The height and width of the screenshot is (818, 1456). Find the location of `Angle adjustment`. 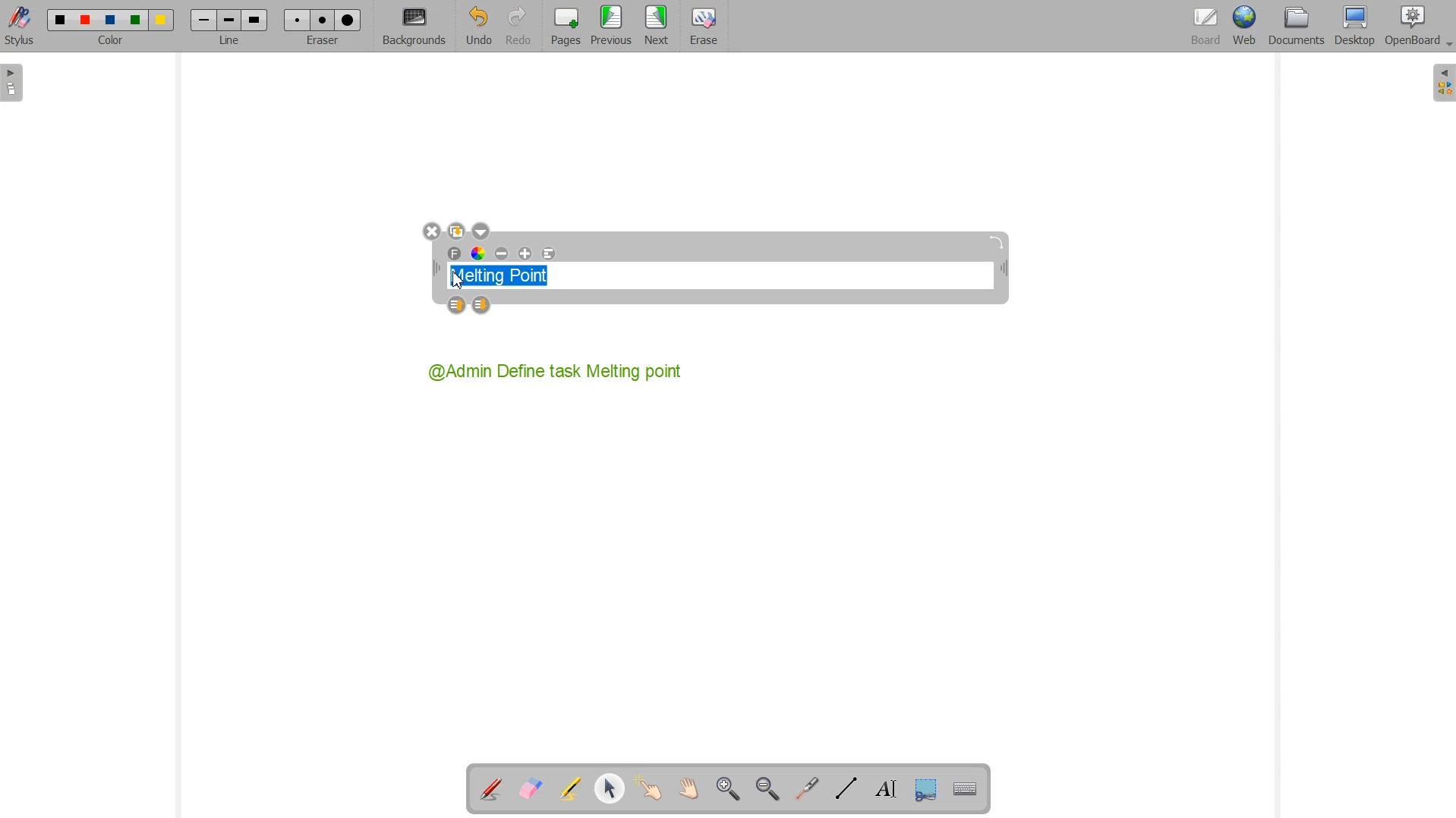

Angle adjustment is located at coordinates (998, 242).